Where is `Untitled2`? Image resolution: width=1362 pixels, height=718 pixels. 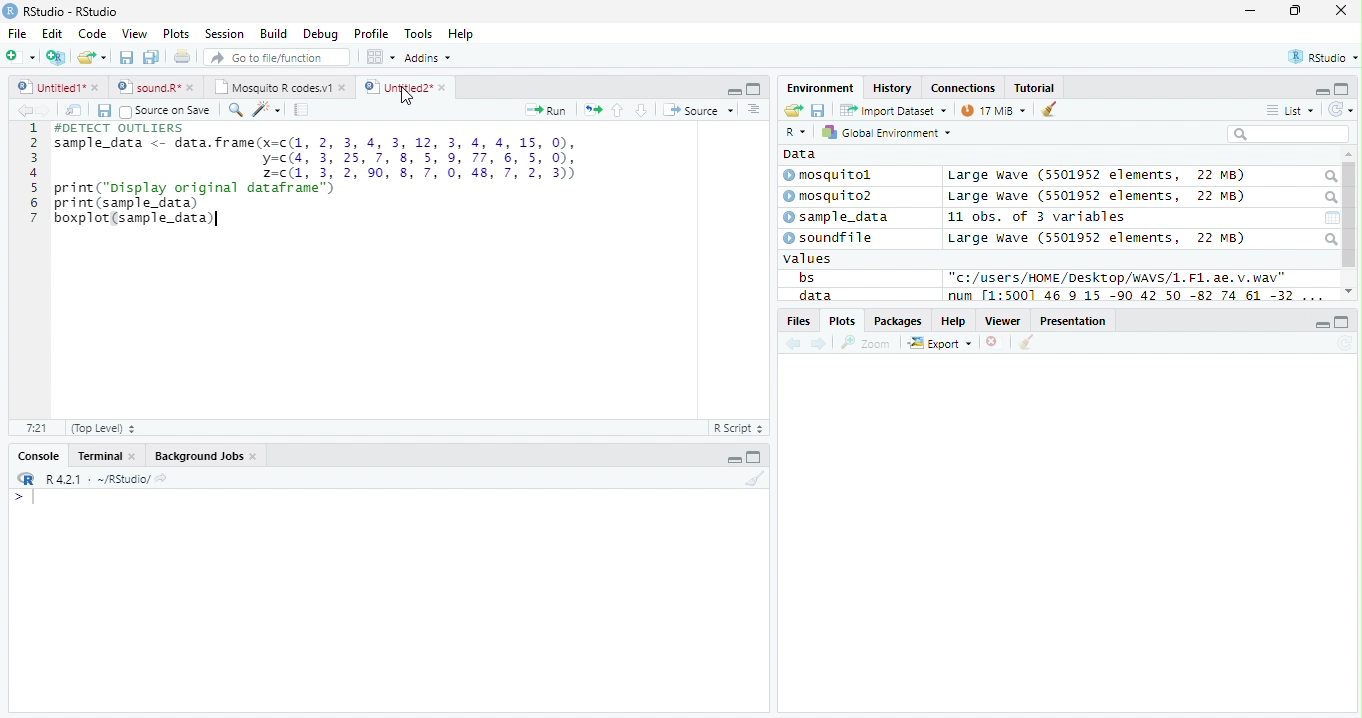
Untitled2 is located at coordinates (405, 88).